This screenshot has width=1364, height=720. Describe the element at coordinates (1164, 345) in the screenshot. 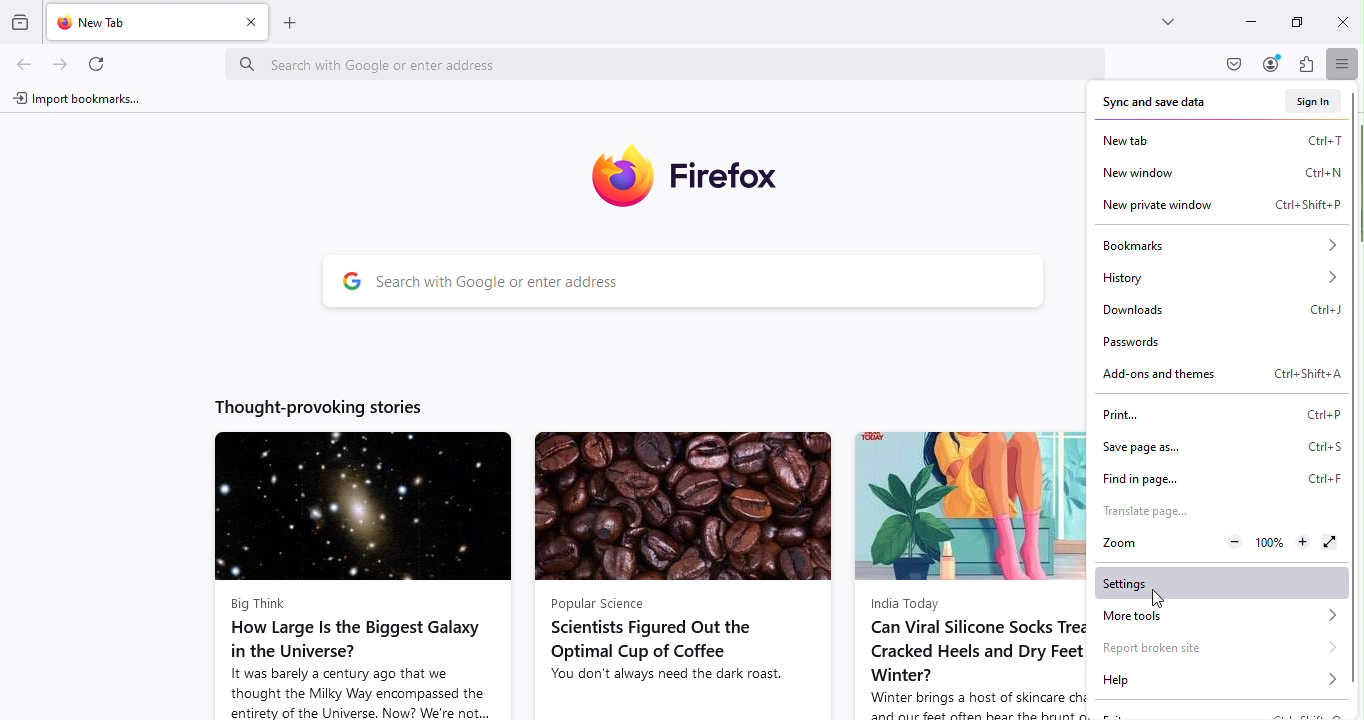

I see `Passwords` at that location.